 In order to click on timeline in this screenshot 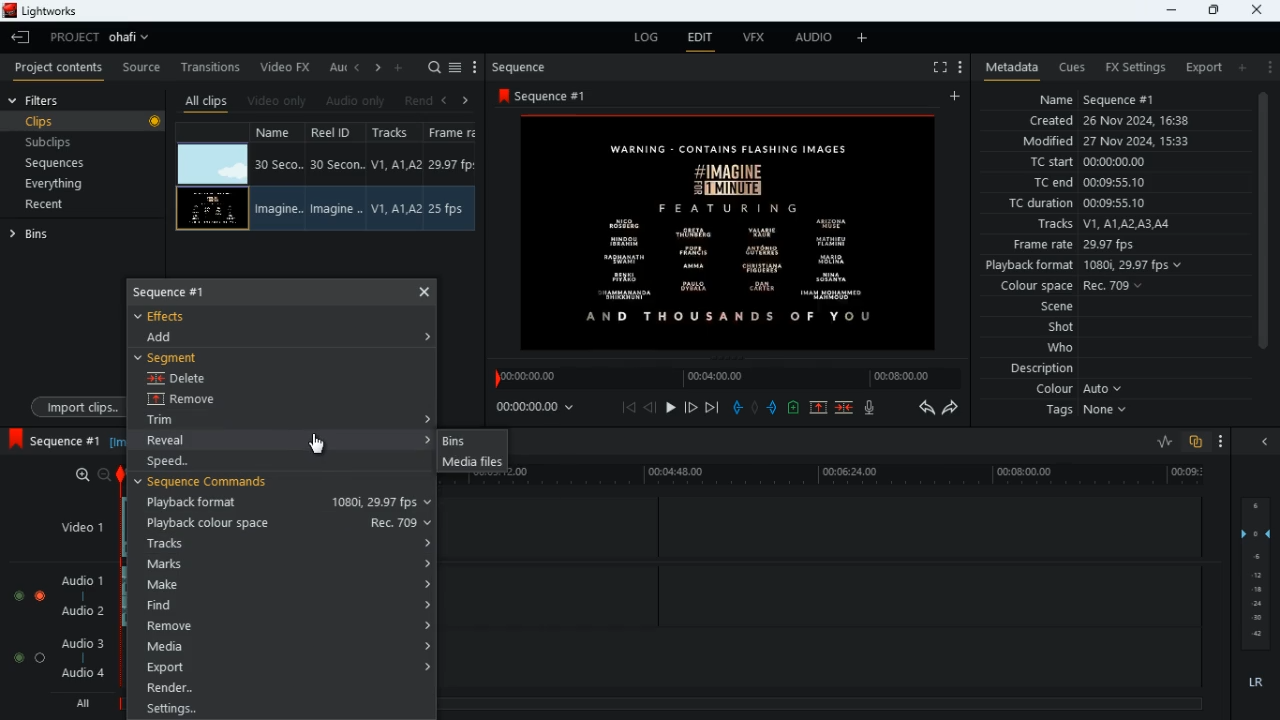, I will do `click(722, 378)`.